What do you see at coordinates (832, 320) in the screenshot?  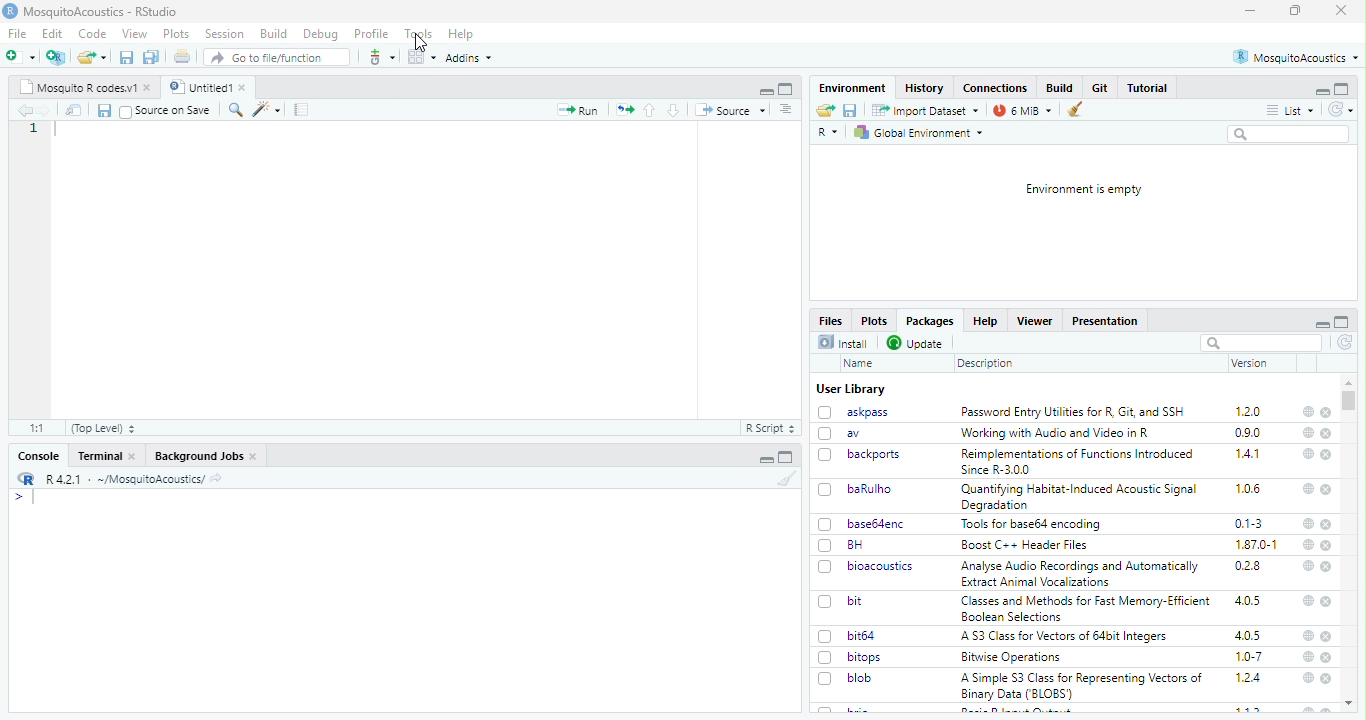 I see `Files` at bounding box center [832, 320].